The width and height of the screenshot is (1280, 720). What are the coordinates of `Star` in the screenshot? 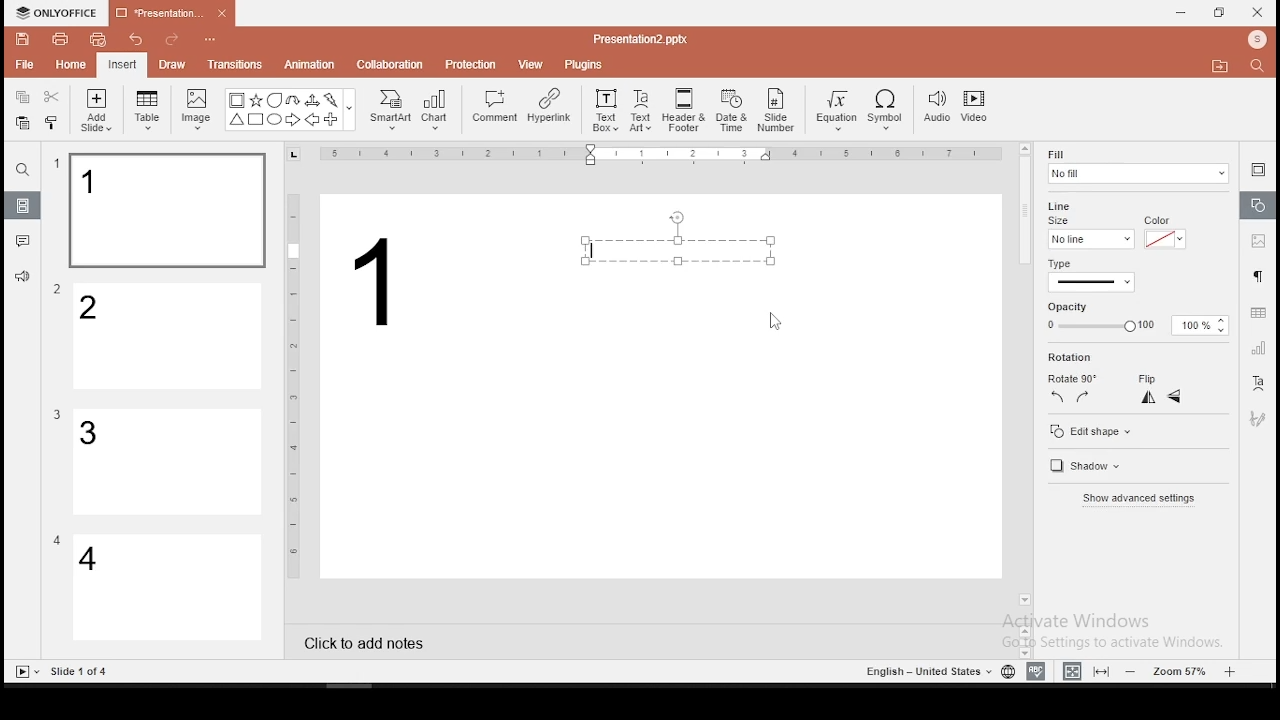 It's located at (255, 100).